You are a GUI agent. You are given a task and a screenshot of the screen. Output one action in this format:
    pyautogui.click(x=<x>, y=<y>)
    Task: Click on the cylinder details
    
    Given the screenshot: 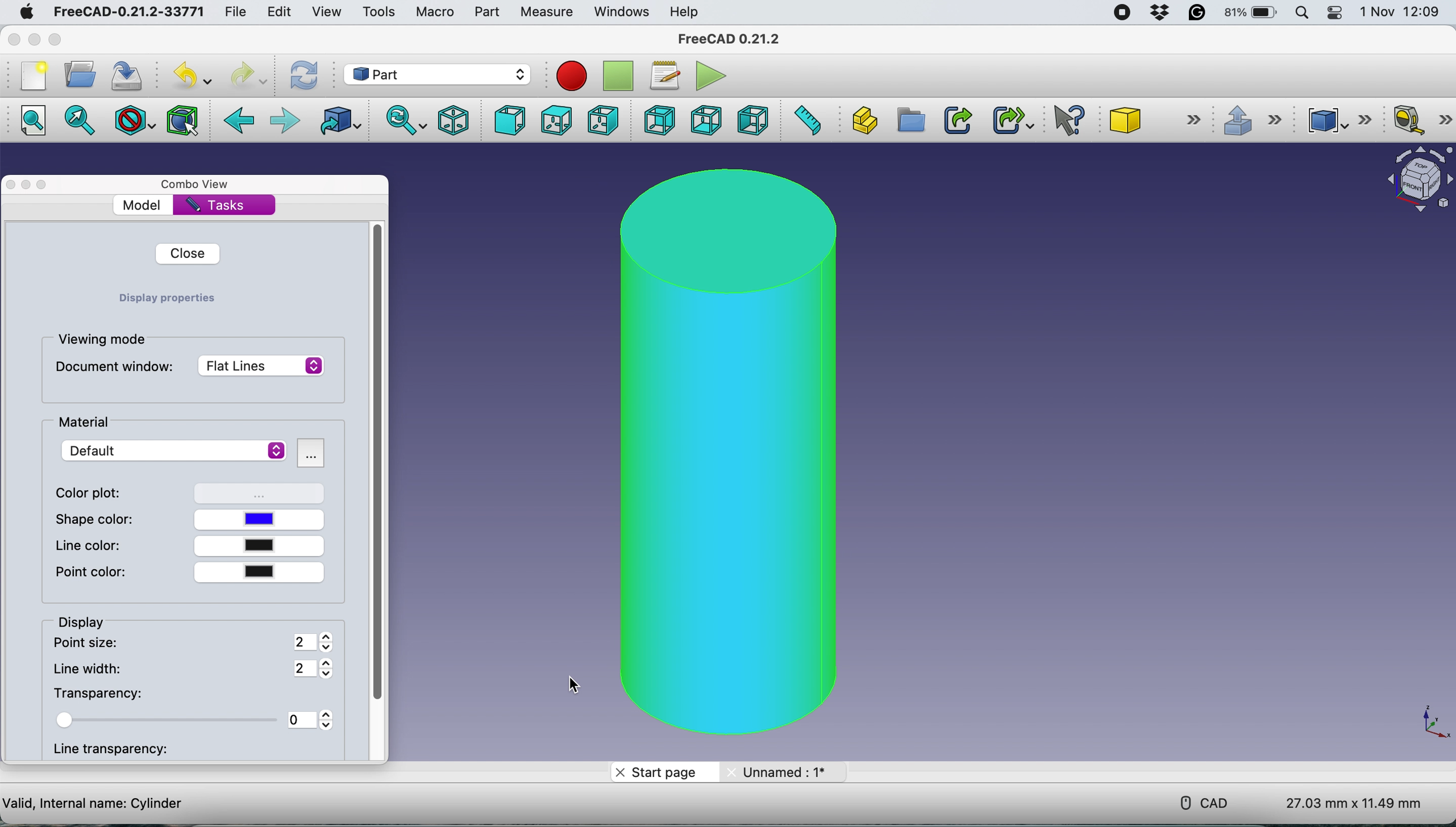 What is the action you would take?
    pyautogui.click(x=94, y=804)
    